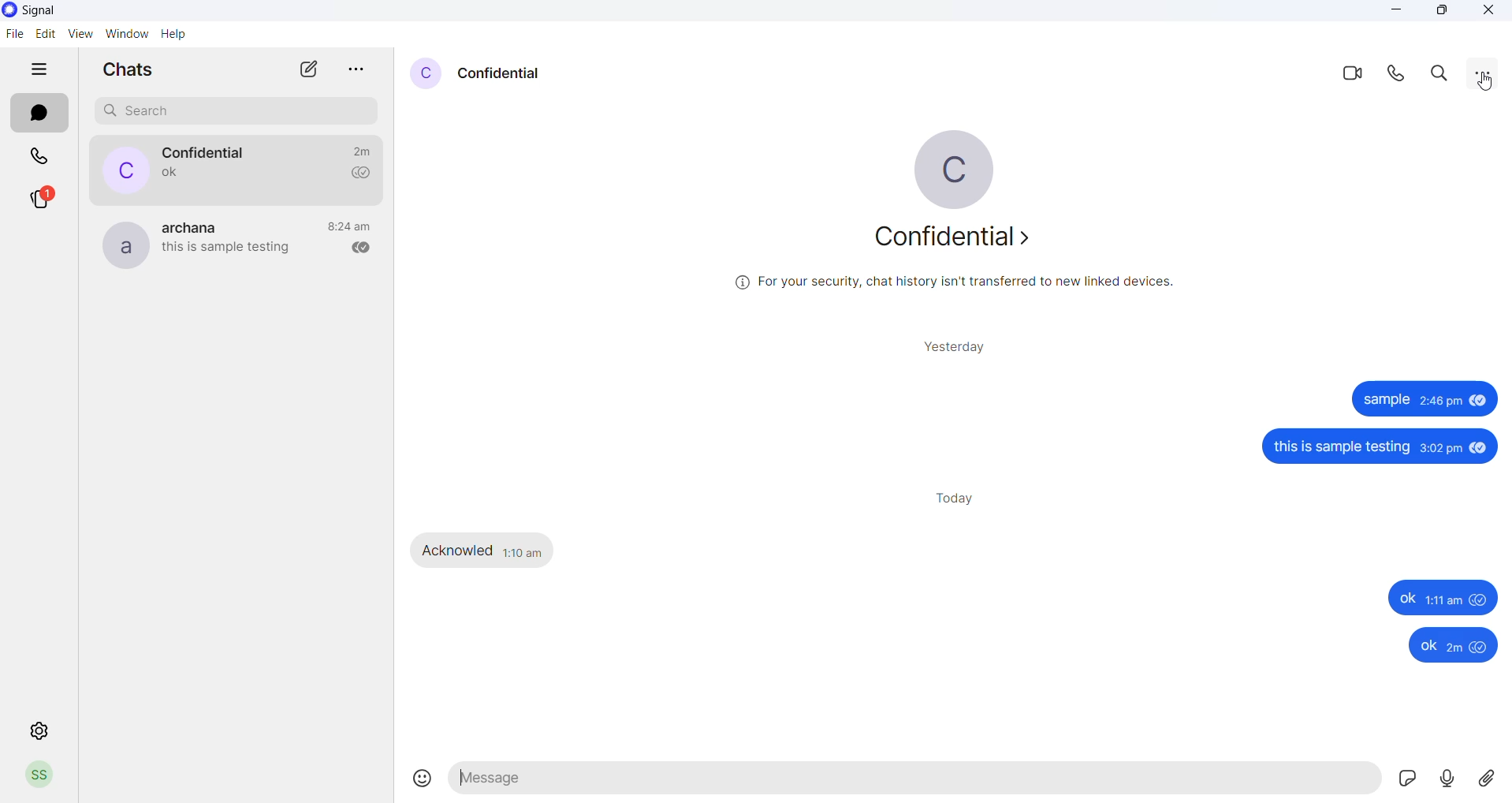 This screenshot has width=1512, height=803. What do you see at coordinates (239, 111) in the screenshot?
I see `search chat` at bounding box center [239, 111].